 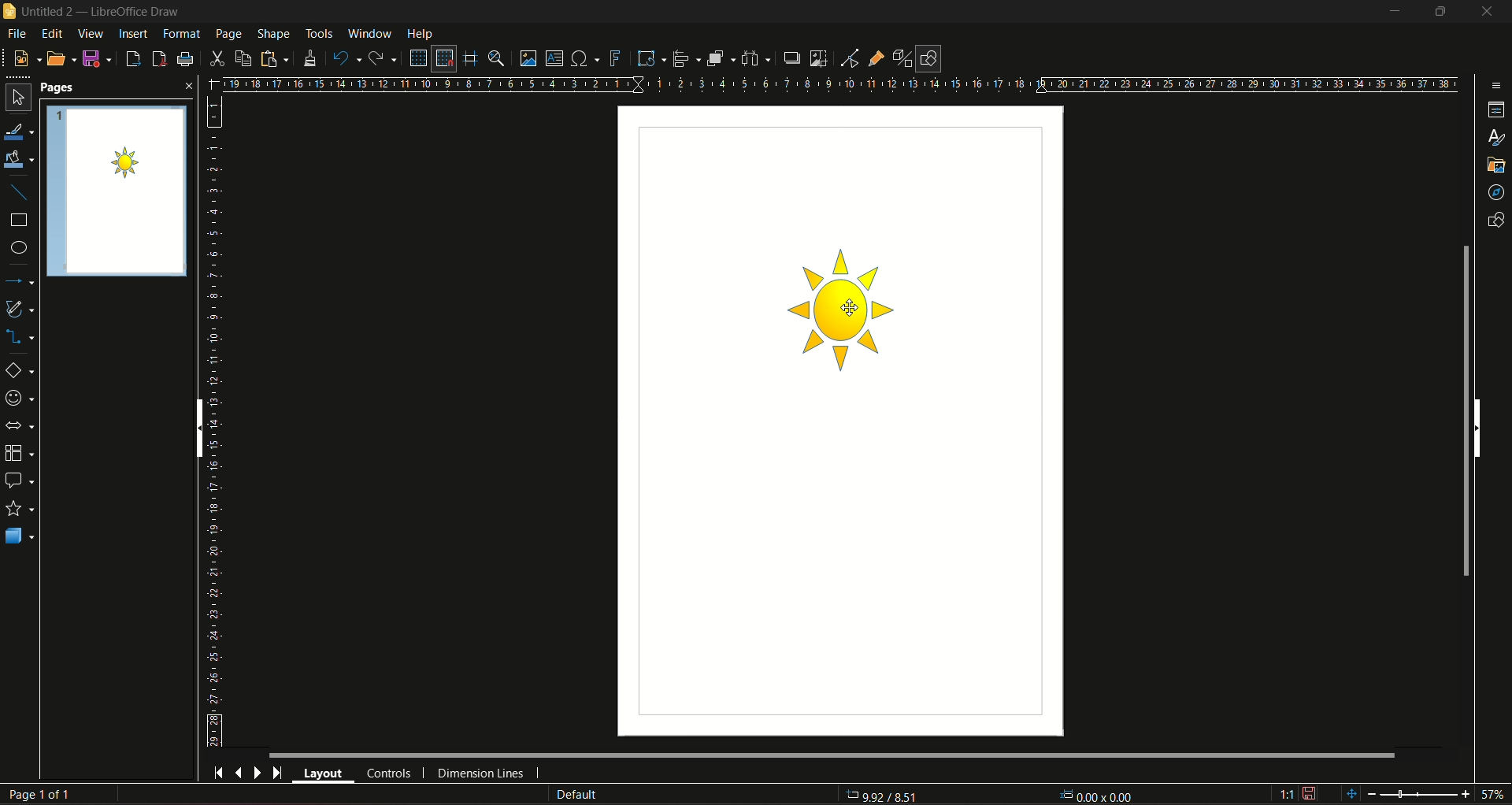 What do you see at coordinates (370, 33) in the screenshot?
I see `window` at bounding box center [370, 33].